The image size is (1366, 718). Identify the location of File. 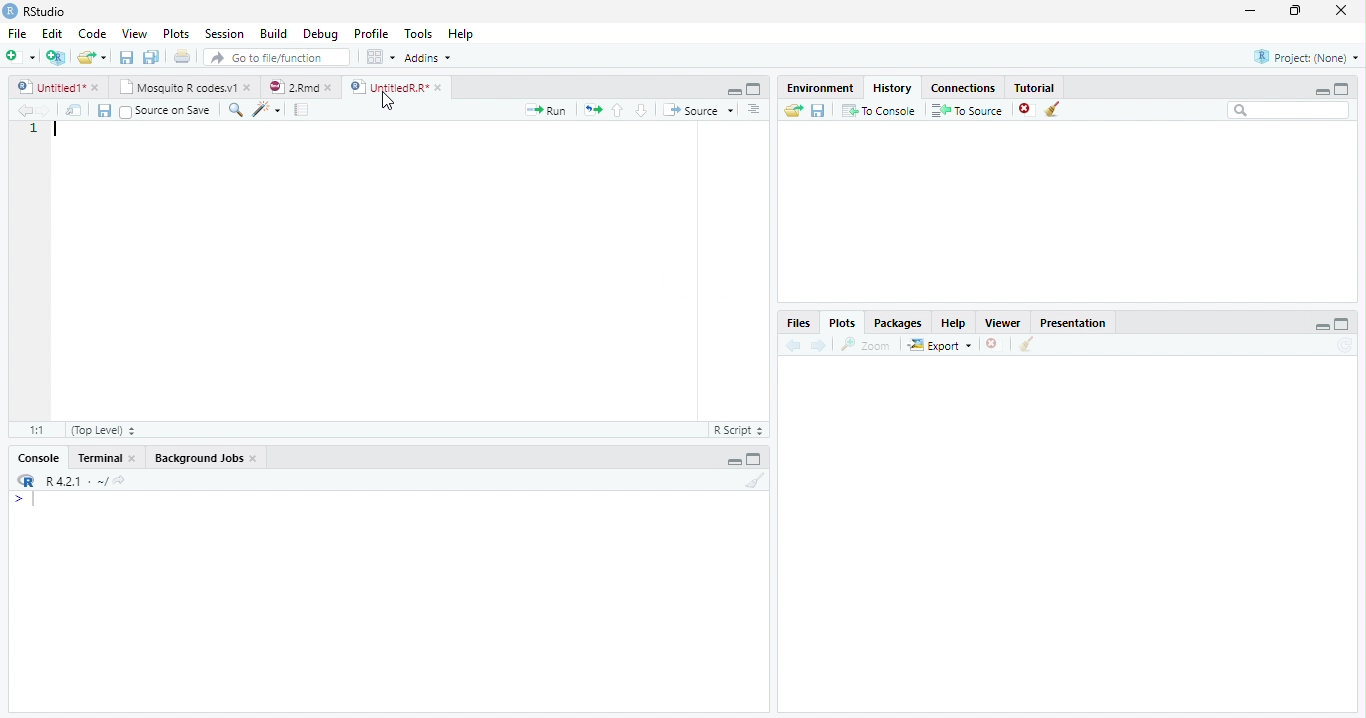
(18, 34).